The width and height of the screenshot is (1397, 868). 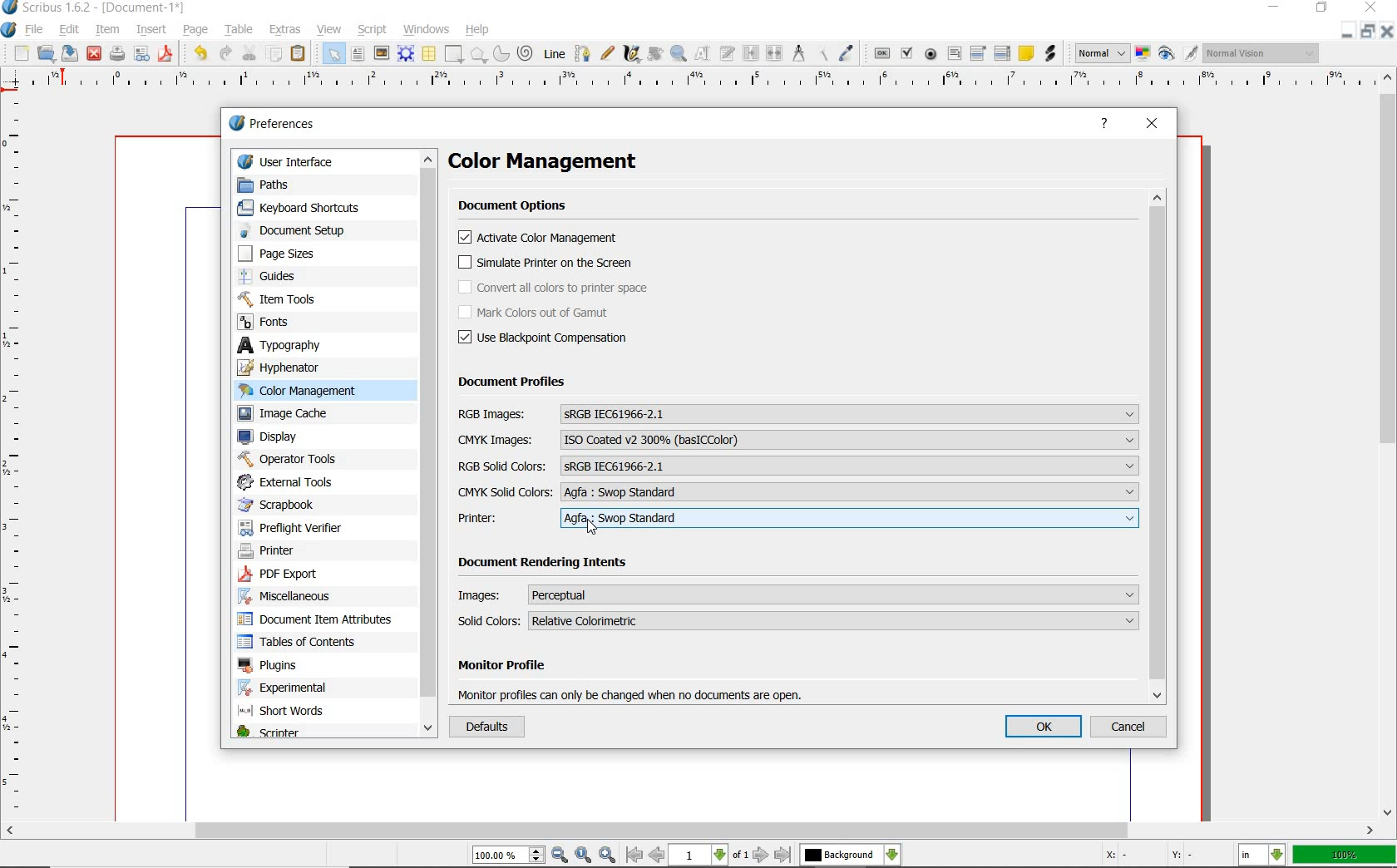 What do you see at coordinates (297, 459) in the screenshot?
I see `operator tools` at bounding box center [297, 459].